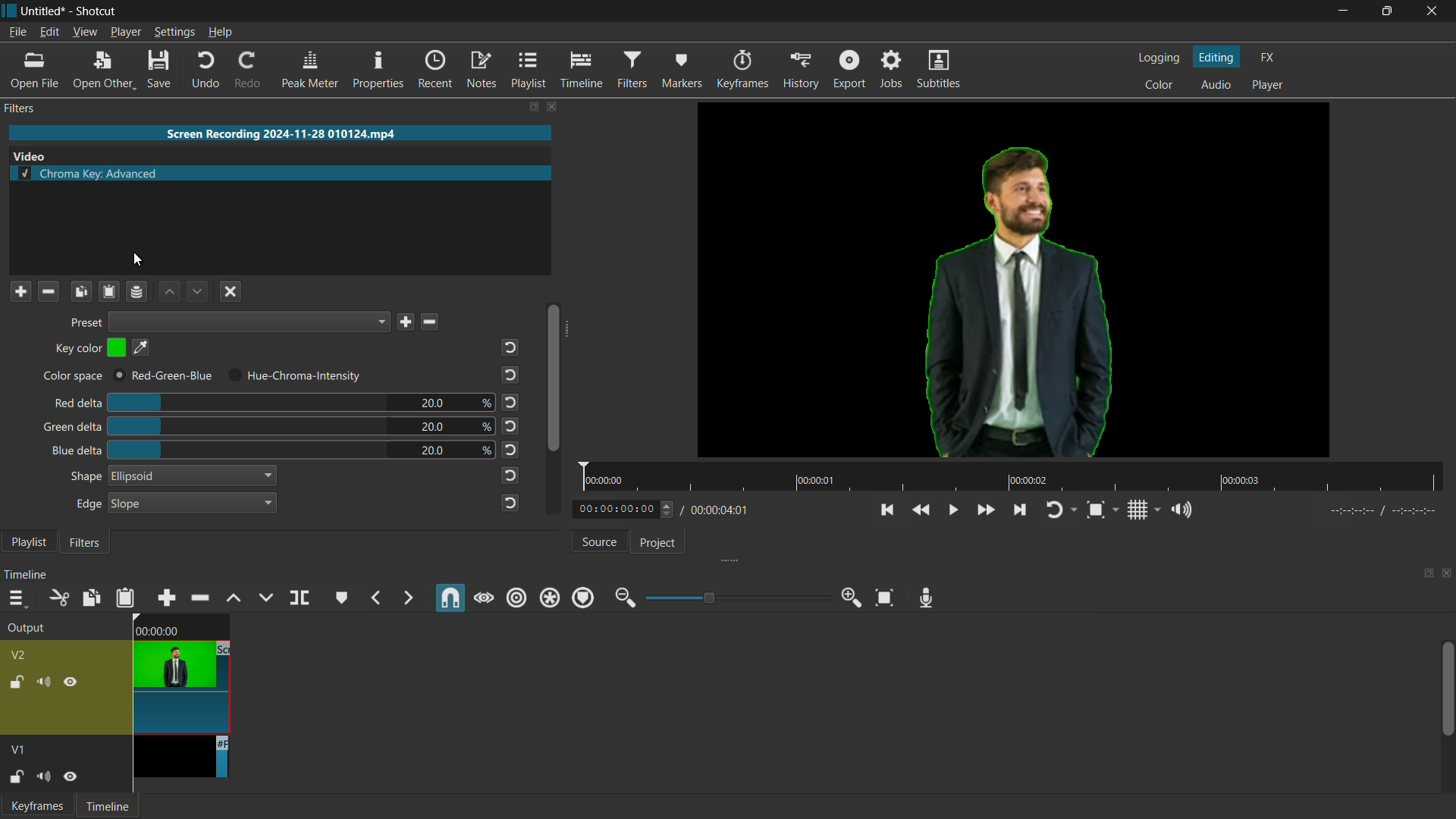 The width and height of the screenshot is (1456, 819). What do you see at coordinates (680, 70) in the screenshot?
I see `markers` at bounding box center [680, 70].